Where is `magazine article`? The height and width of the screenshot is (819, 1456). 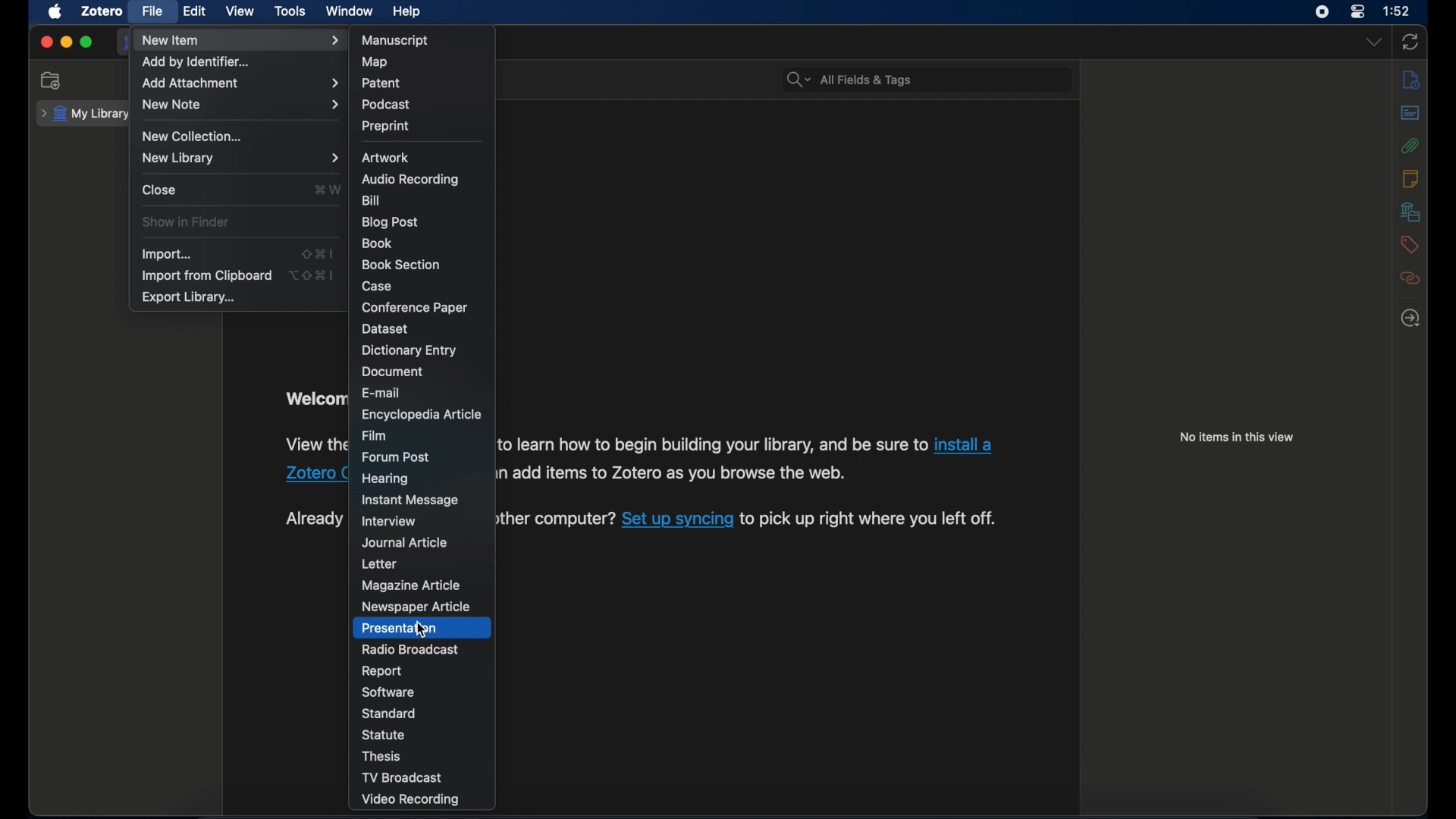
magazine article is located at coordinates (413, 585).